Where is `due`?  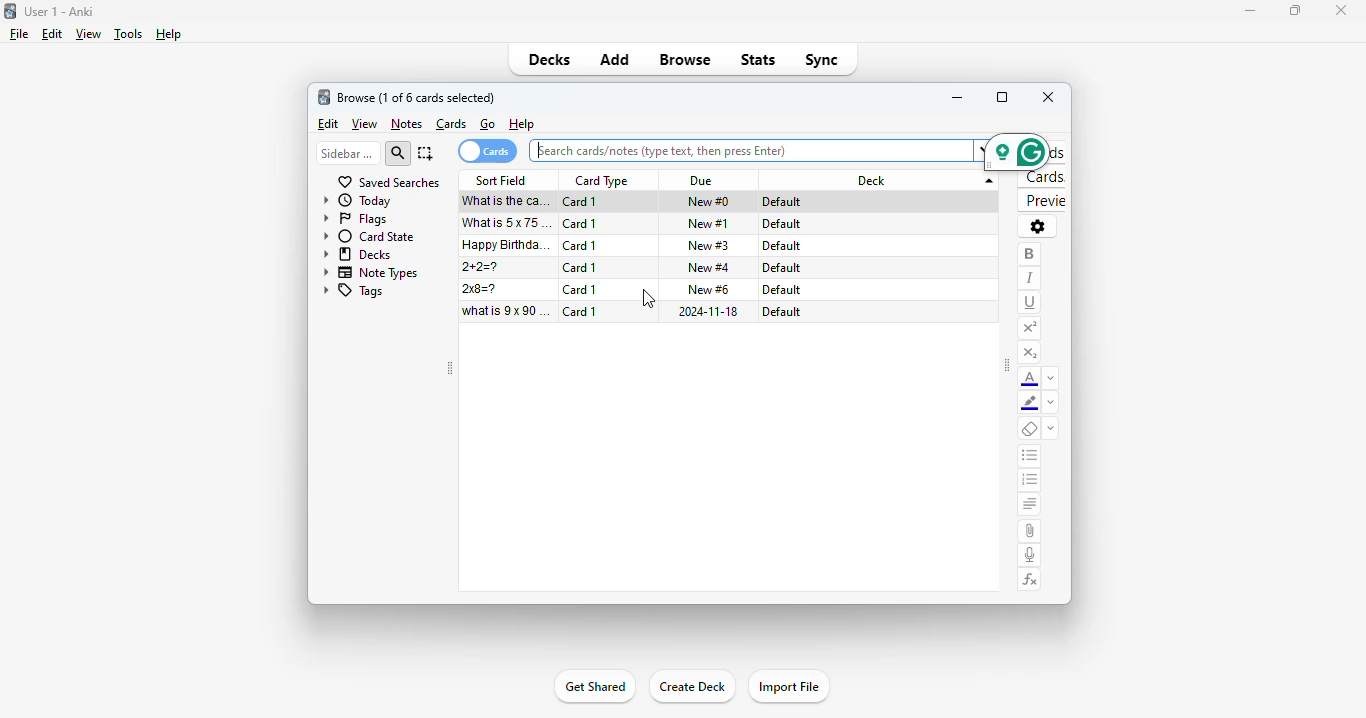 due is located at coordinates (701, 182).